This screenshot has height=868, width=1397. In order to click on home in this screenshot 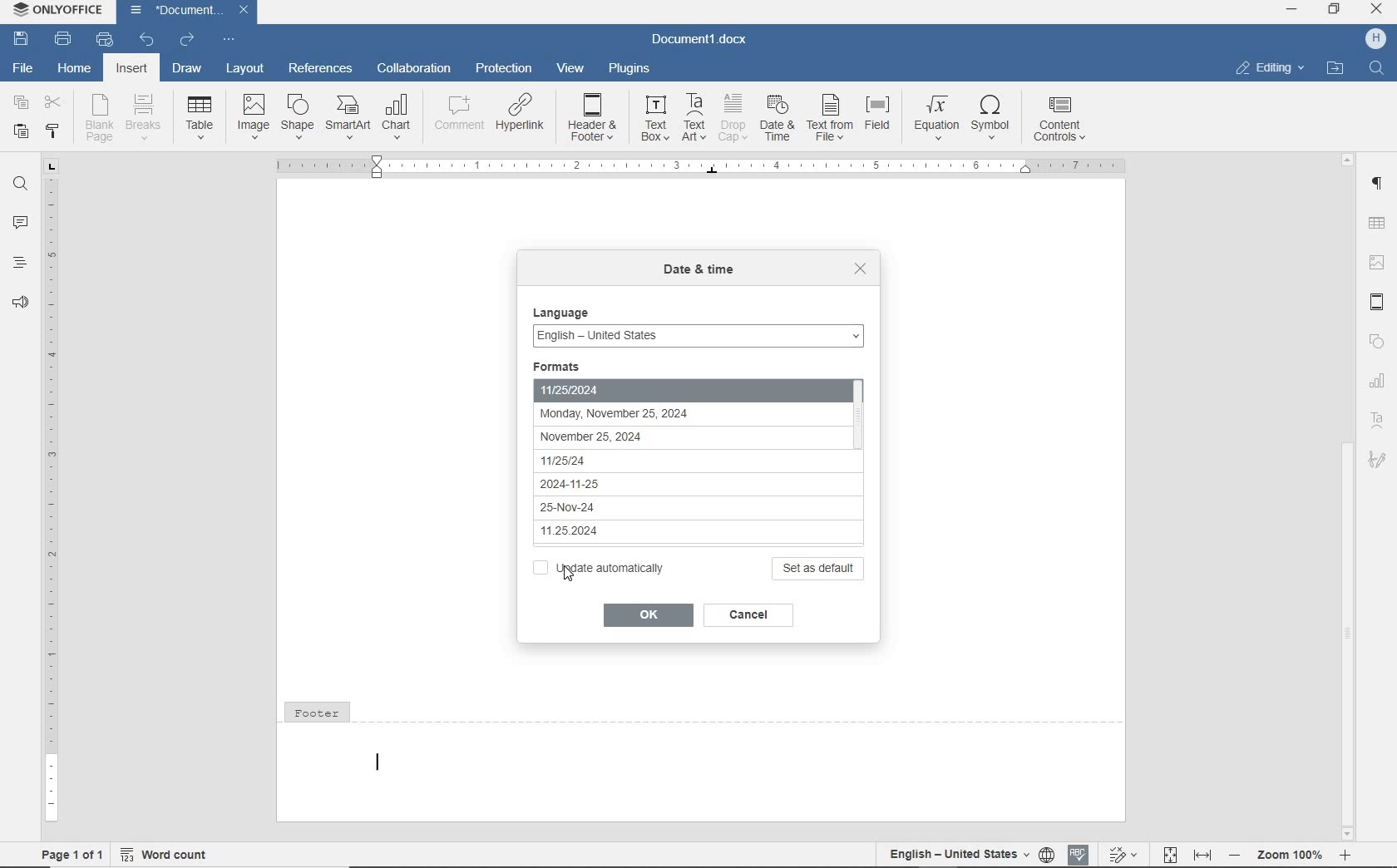, I will do `click(74, 70)`.